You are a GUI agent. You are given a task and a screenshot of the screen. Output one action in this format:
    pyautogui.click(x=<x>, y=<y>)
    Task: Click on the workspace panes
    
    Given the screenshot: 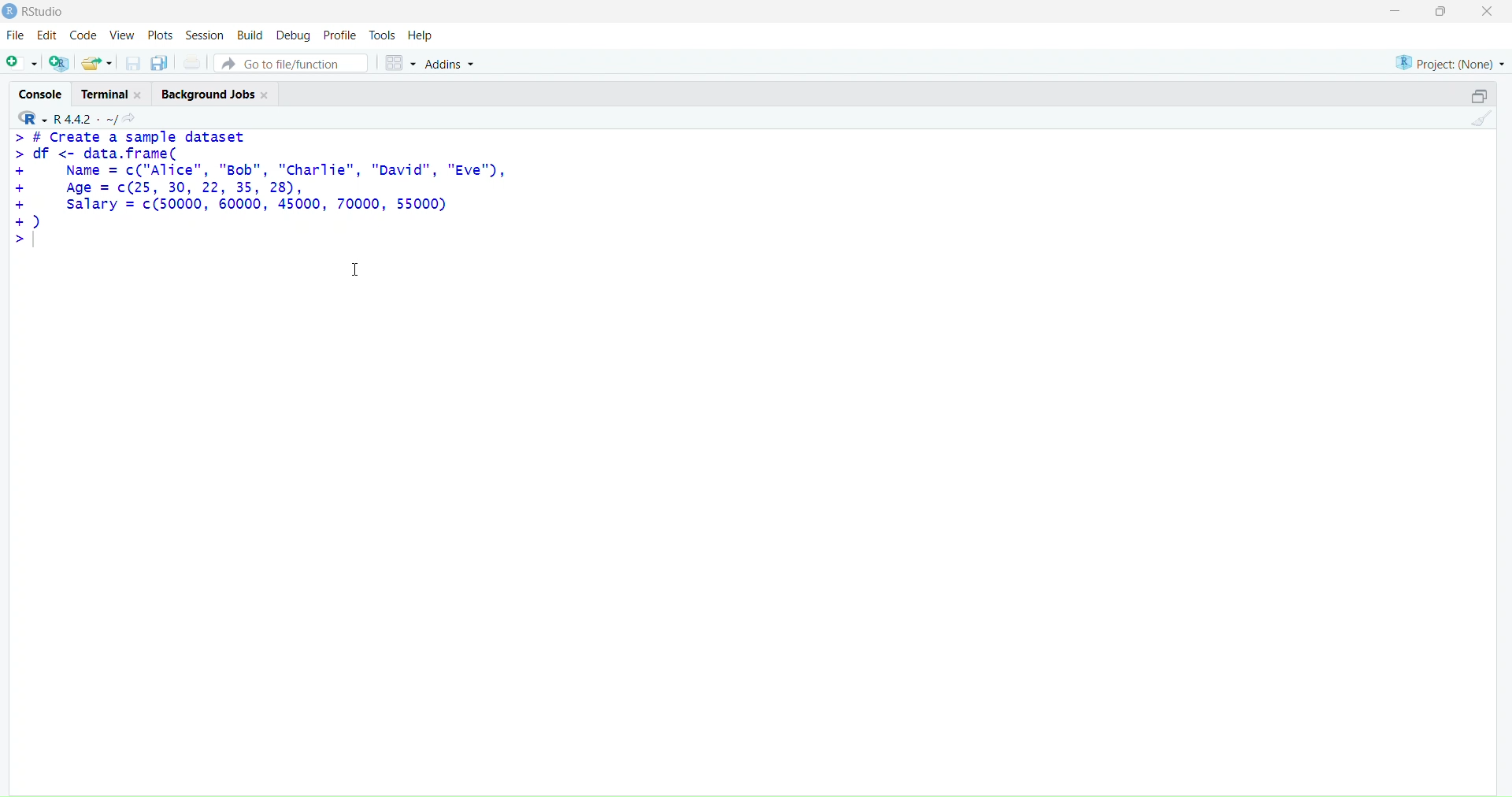 What is the action you would take?
    pyautogui.click(x=399, y=64)
    